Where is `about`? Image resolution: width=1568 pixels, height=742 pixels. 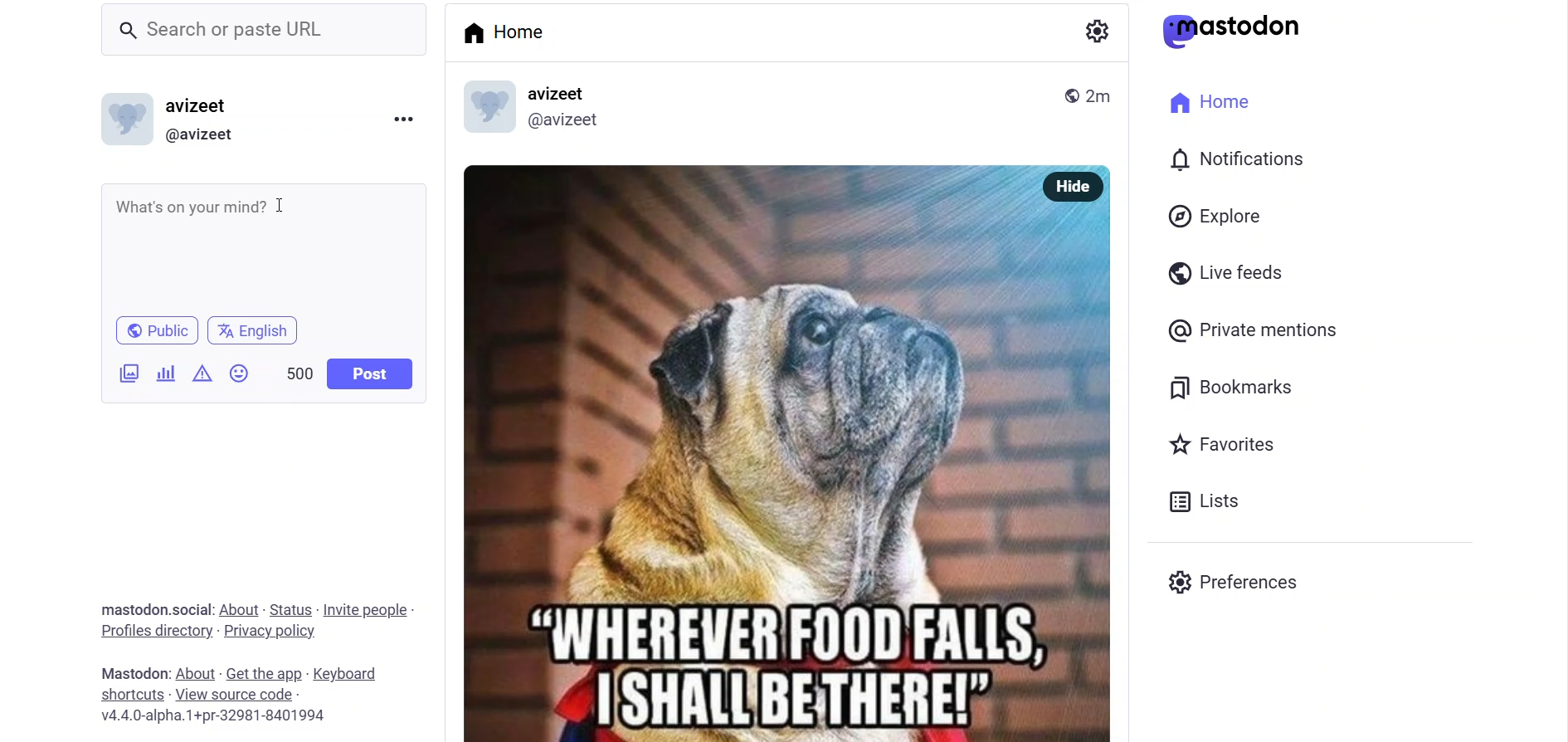 about is located at coordinates (240, 610).